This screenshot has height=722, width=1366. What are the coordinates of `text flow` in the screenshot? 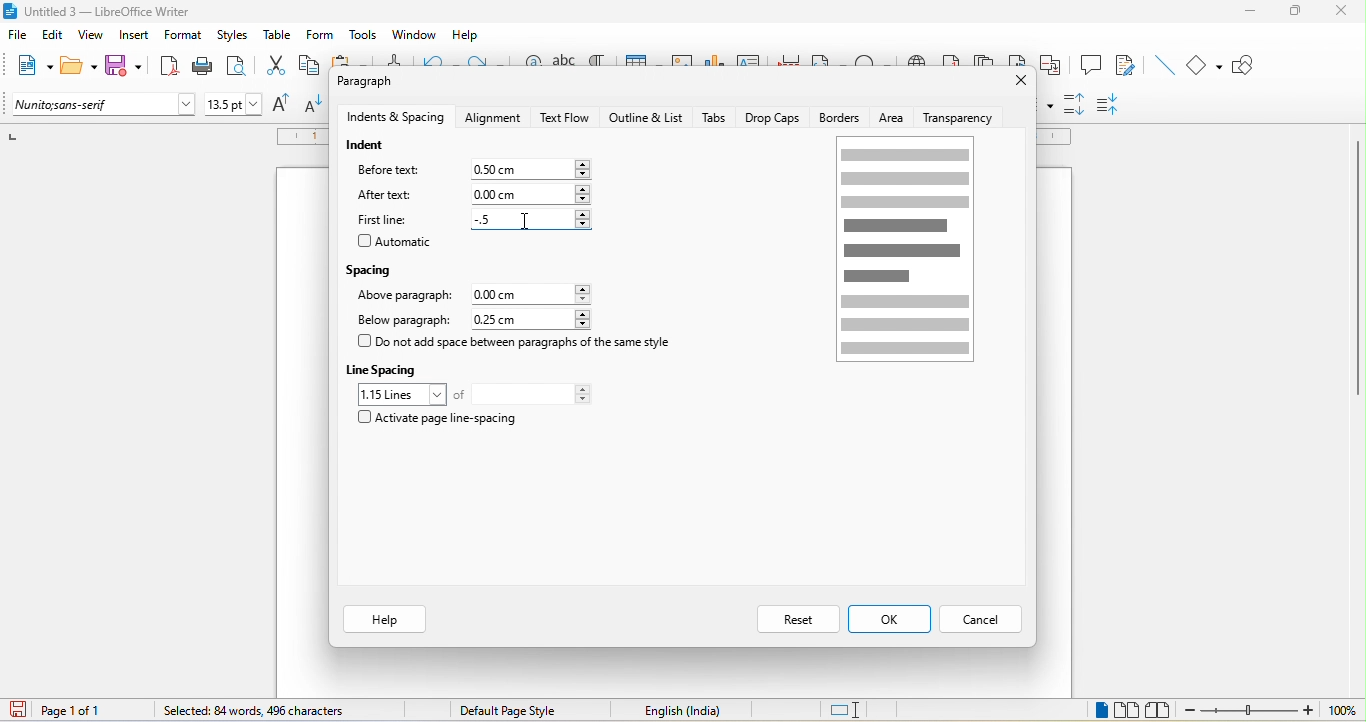 It's located at (566, 117).